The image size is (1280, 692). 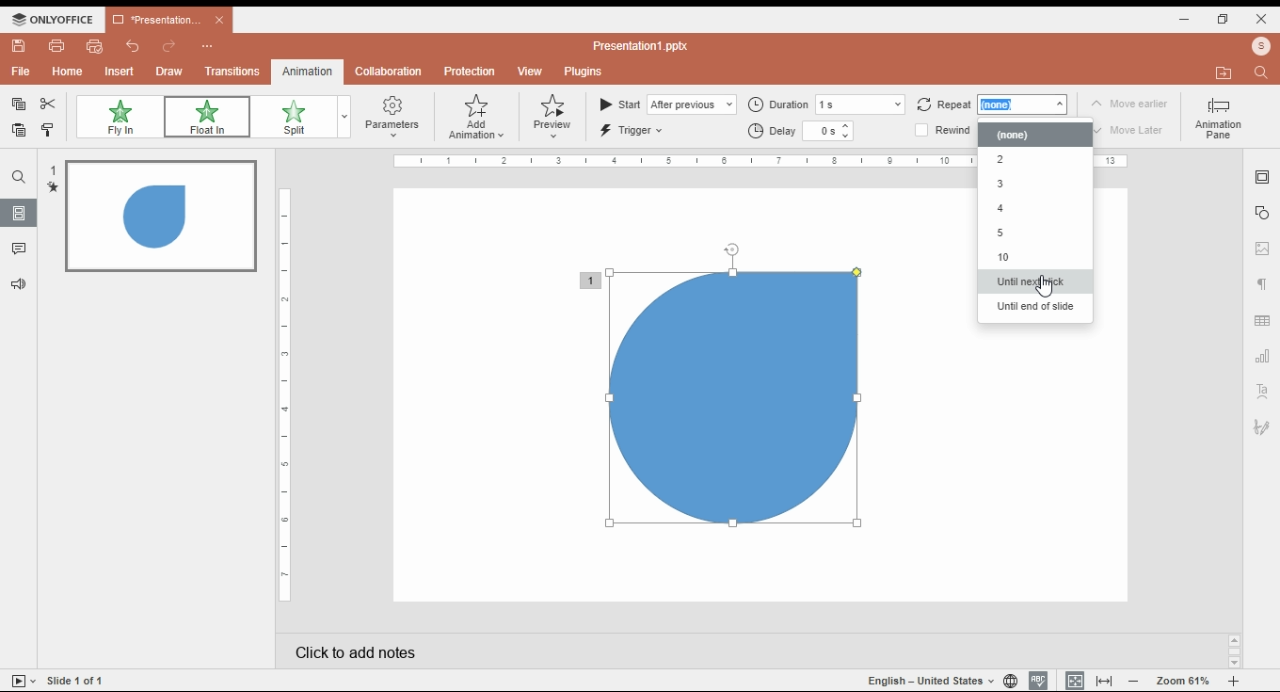 I want to click on plugins, so click(x=586, y=72).